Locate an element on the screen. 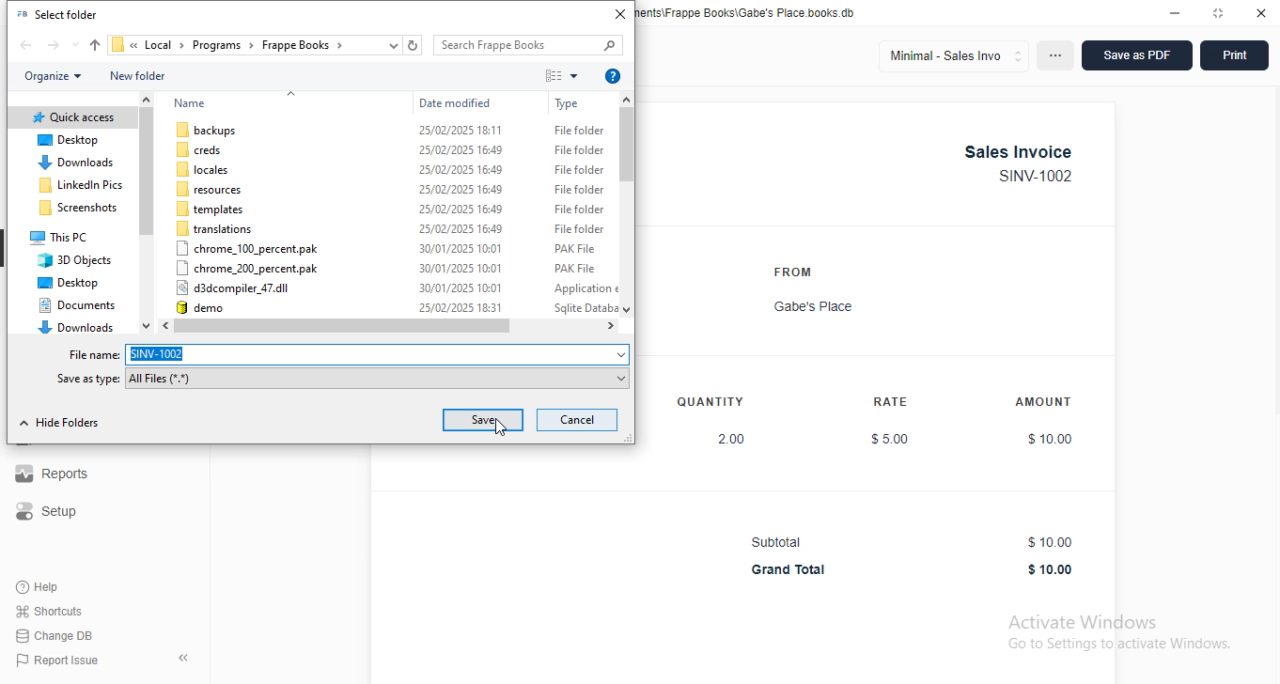 The width and height of the screenshot is (1280, 684). application is located at coordinates (583, 288).